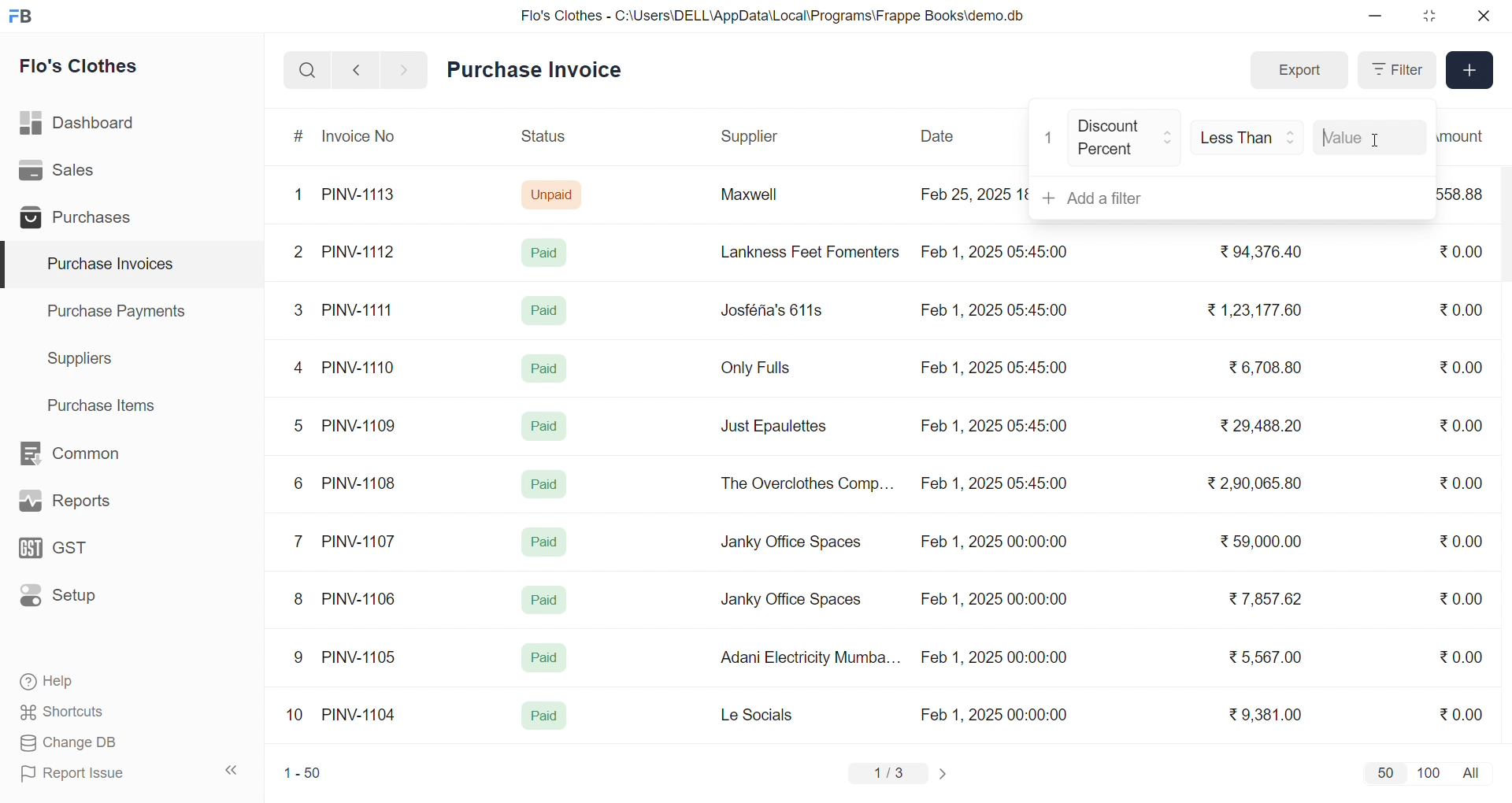  I want to click on 8, so click(299, 601).